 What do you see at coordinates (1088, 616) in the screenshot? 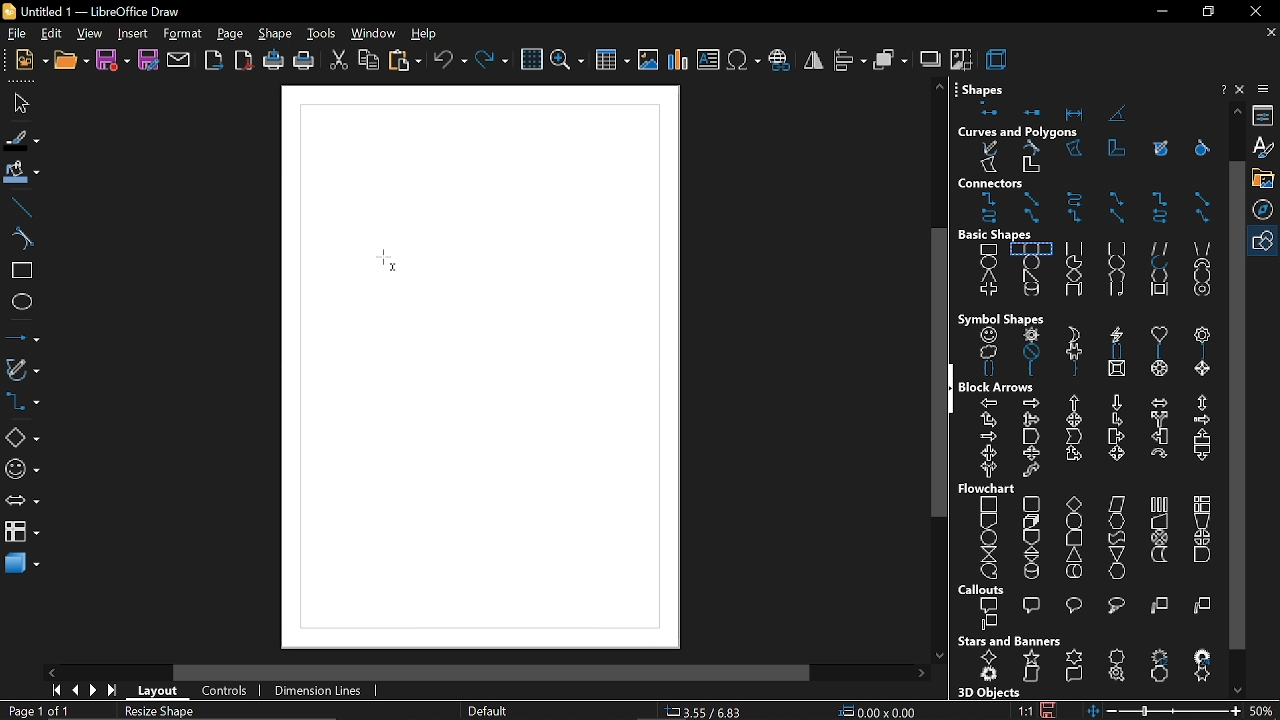
I see `callout` at bounding box center [1088, 616].